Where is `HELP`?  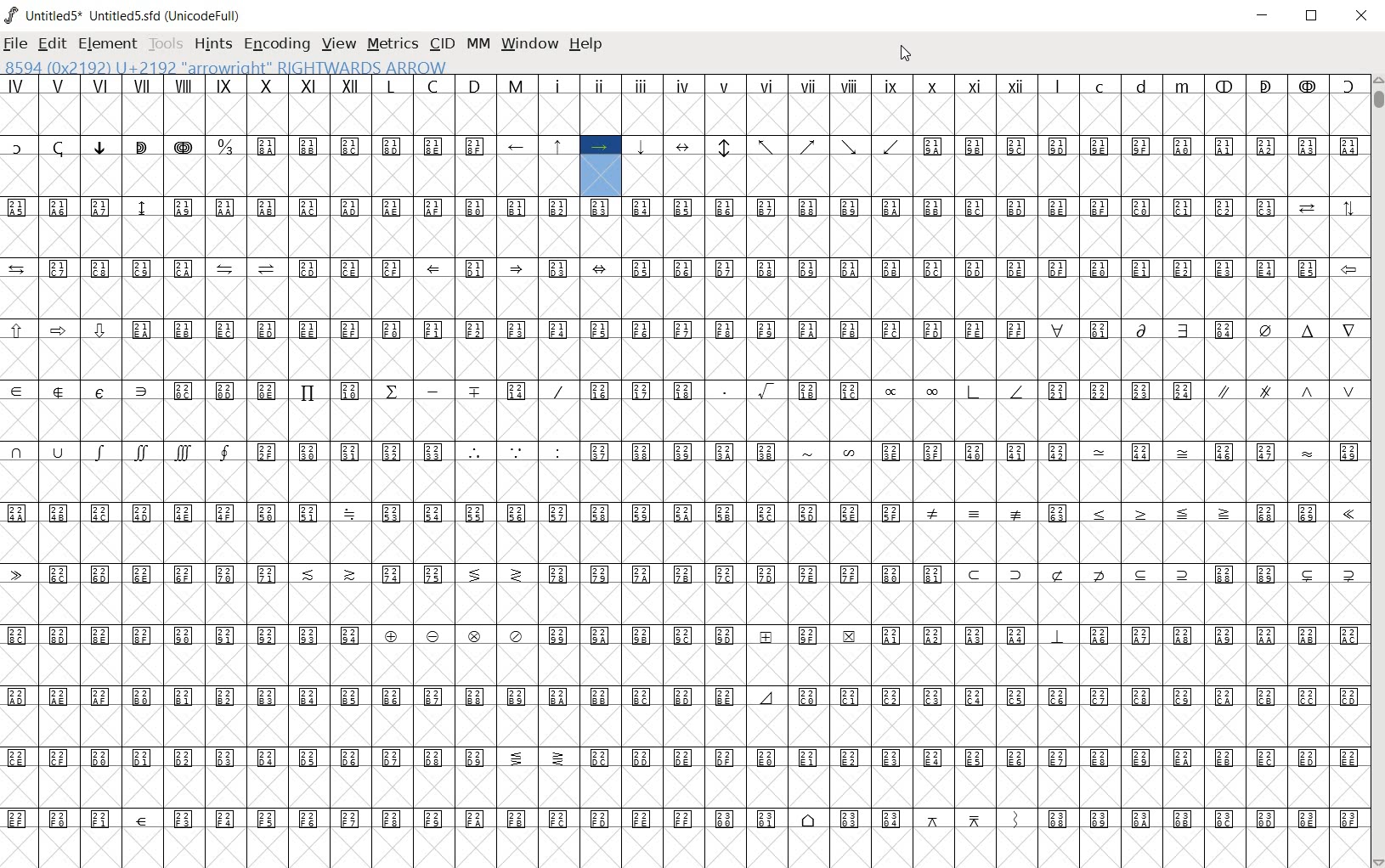 HELP is located at coordinates (586, 45).